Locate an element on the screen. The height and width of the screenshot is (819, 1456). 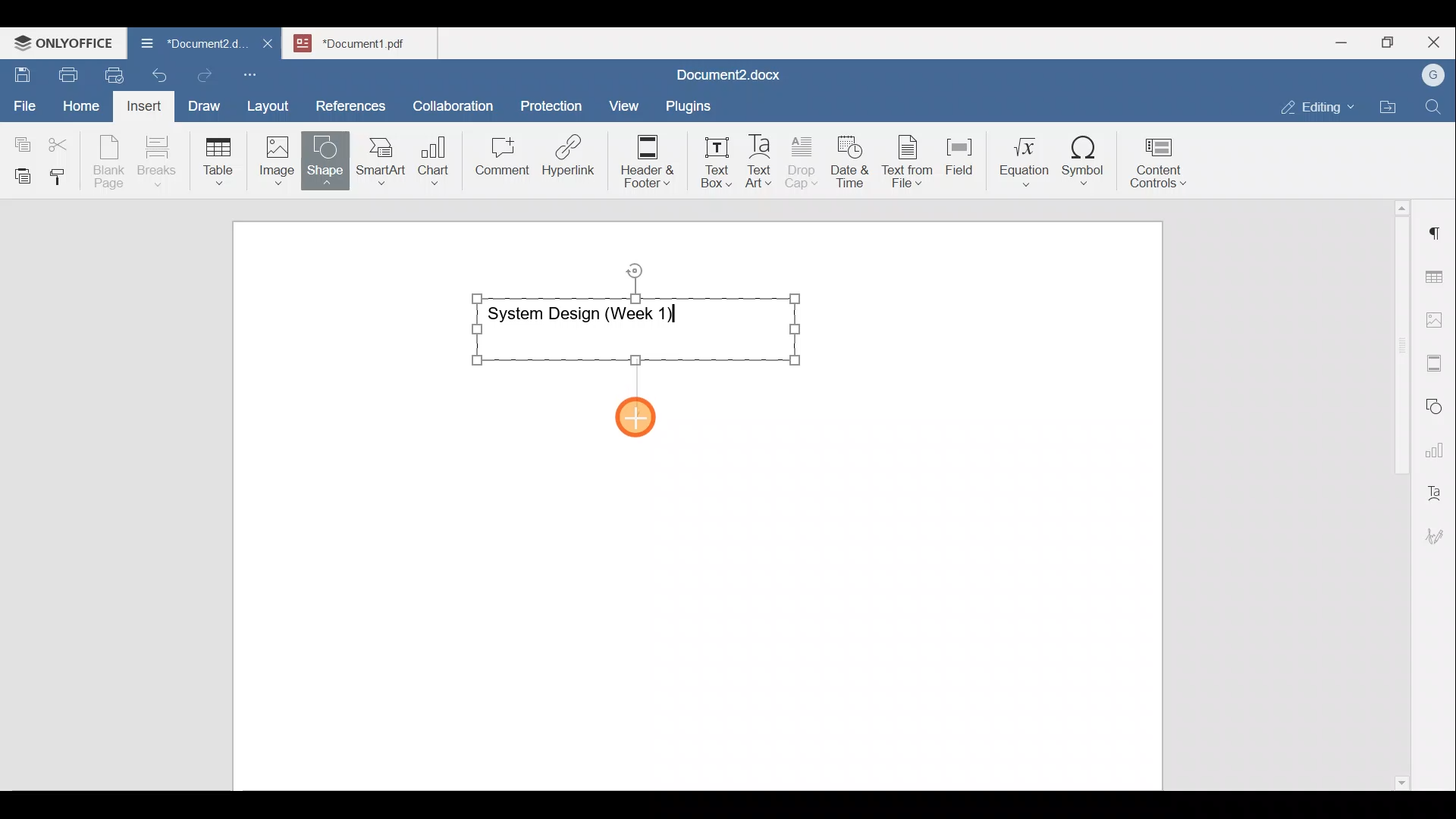
Table is located at coordinates (219, 158).